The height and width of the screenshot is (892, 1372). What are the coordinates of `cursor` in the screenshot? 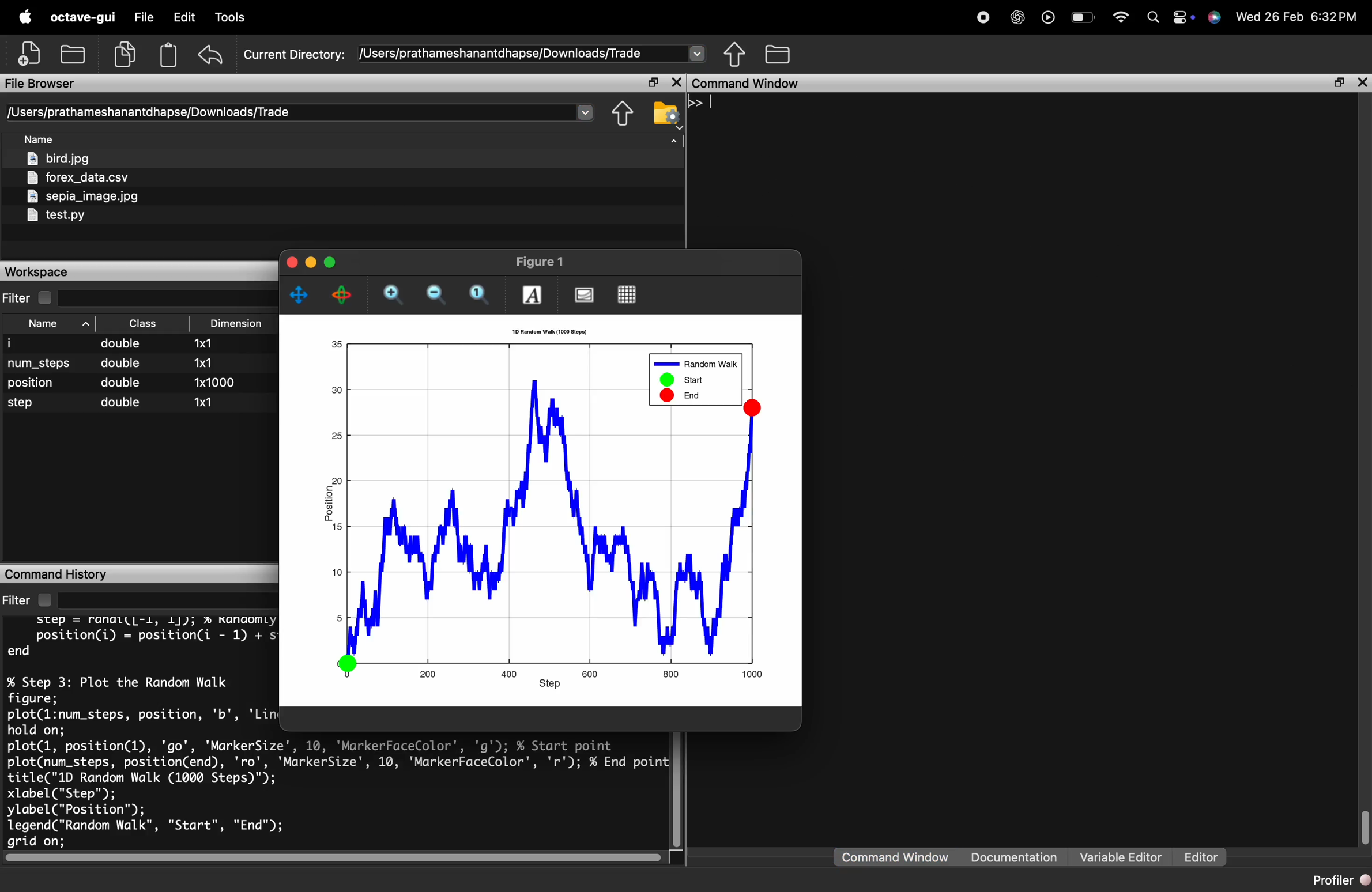 It's located at (715, 103).